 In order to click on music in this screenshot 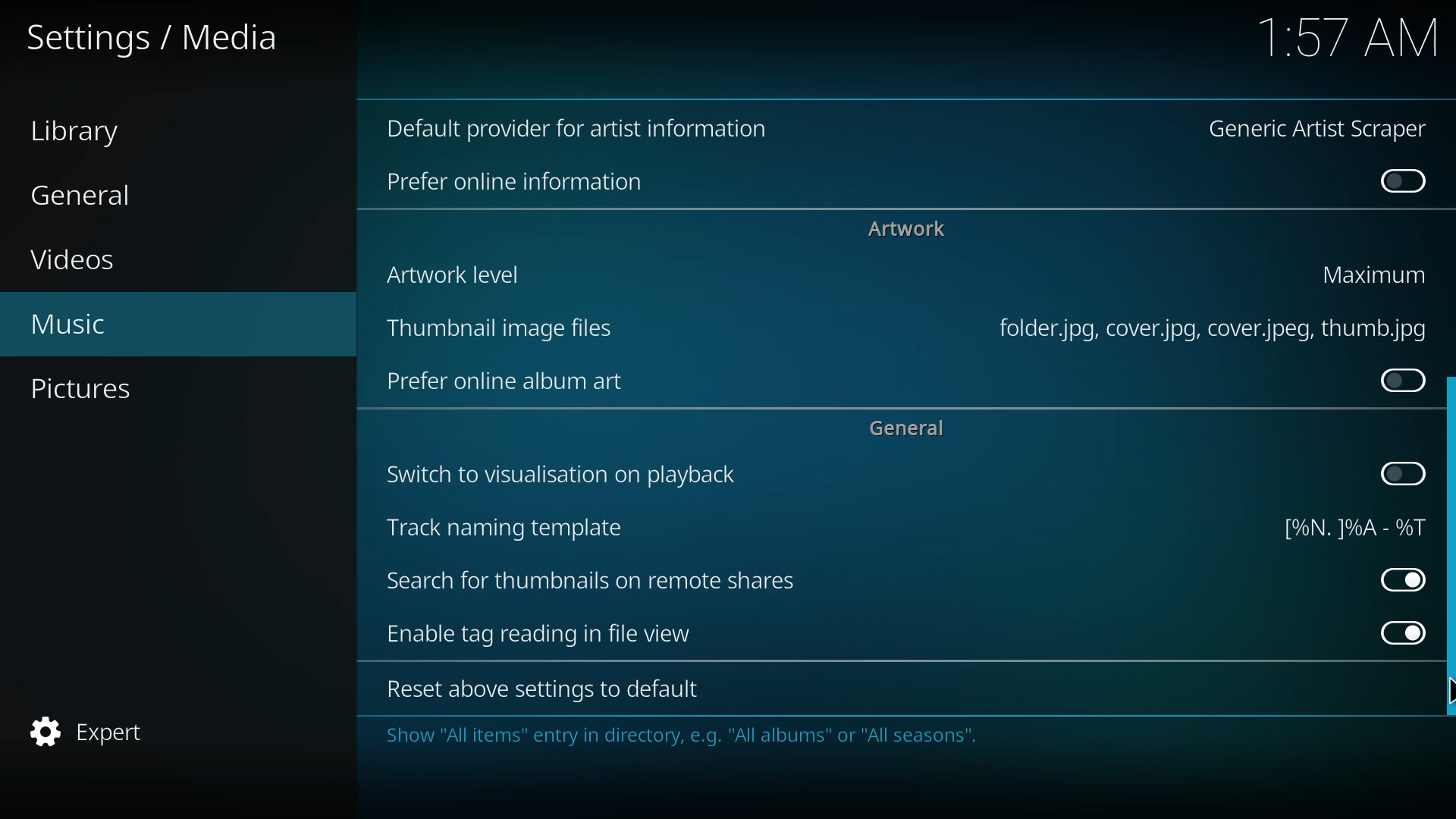, I will do `click(68, 325)`.